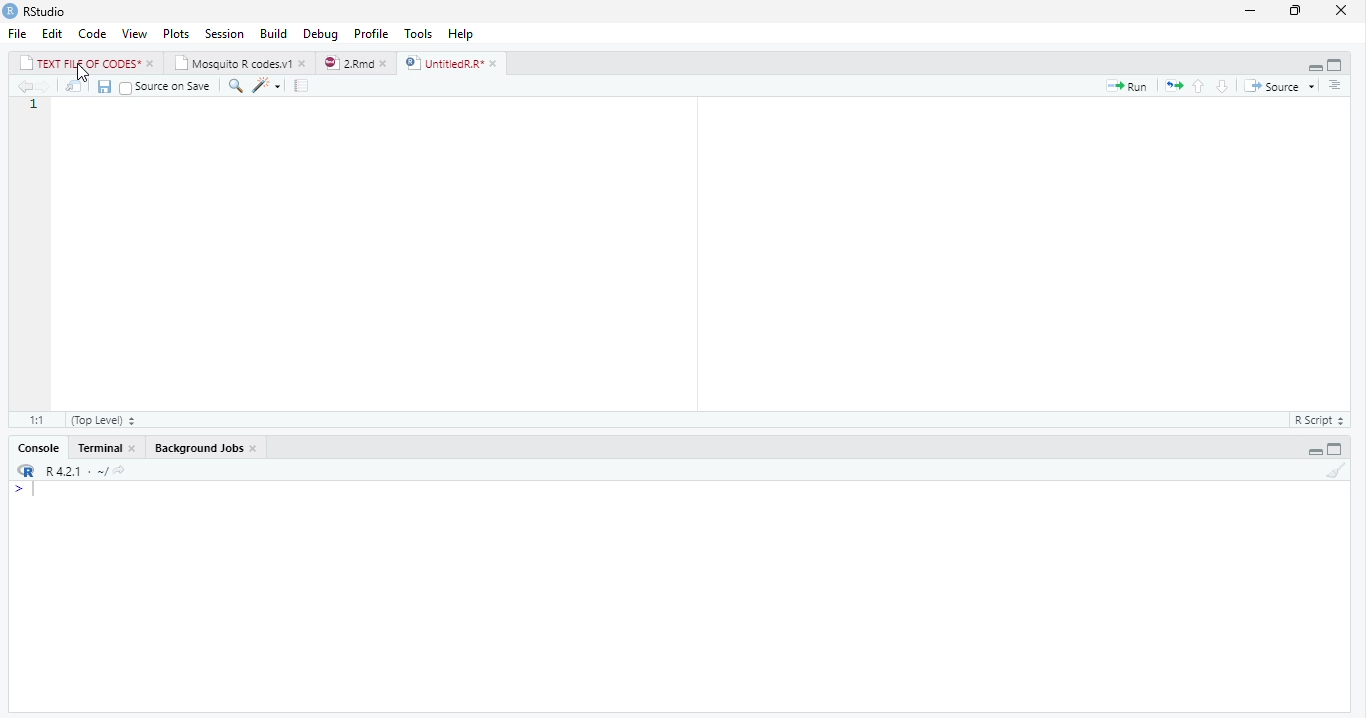 This screenshot has width=1366, height=718. Describe the element at coordinates (1175, 87) in the screenshot. I see `re-run the previous section` at that location.